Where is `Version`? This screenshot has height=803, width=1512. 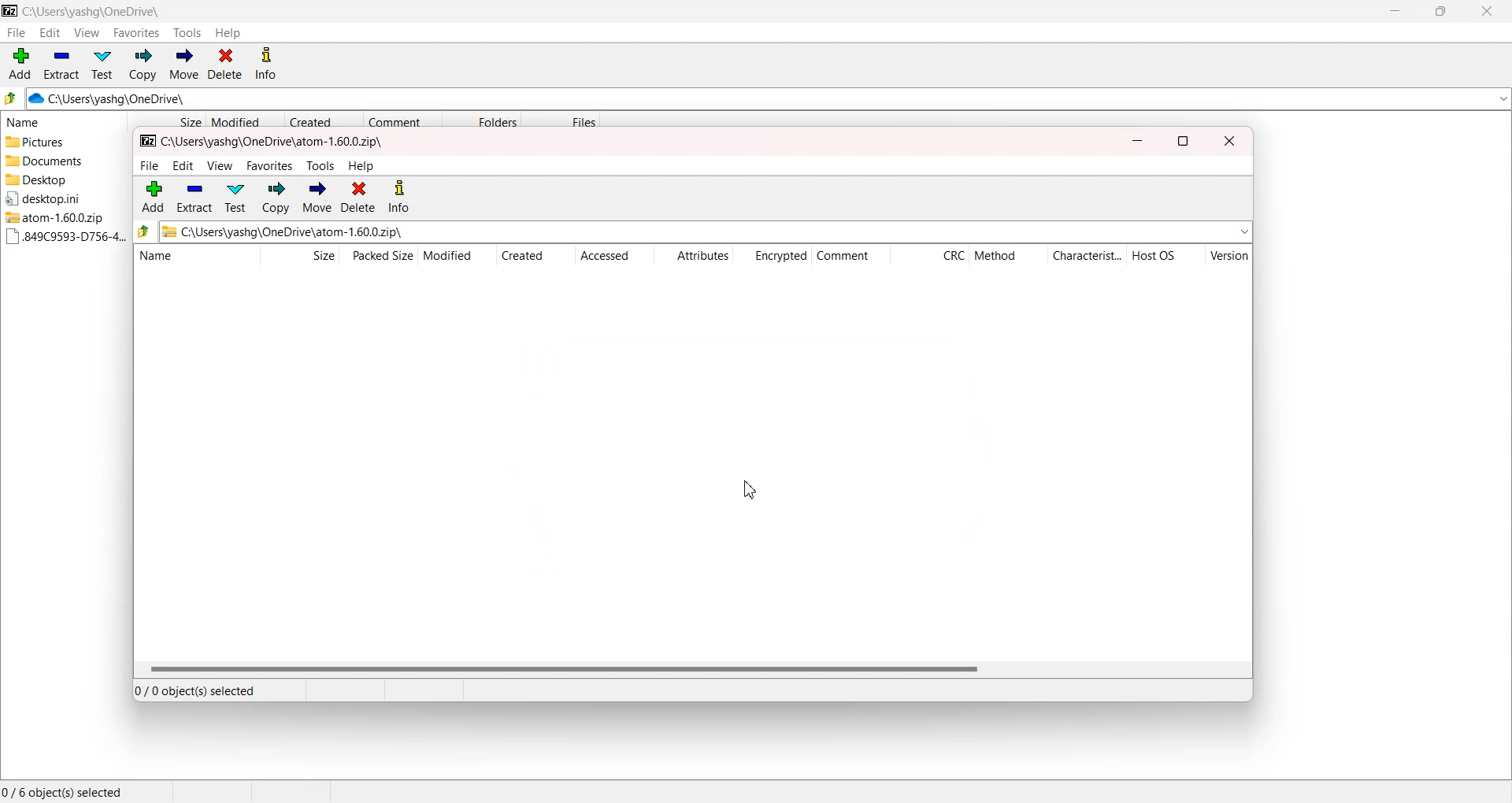
Version is located at coordinates (1228, 257).